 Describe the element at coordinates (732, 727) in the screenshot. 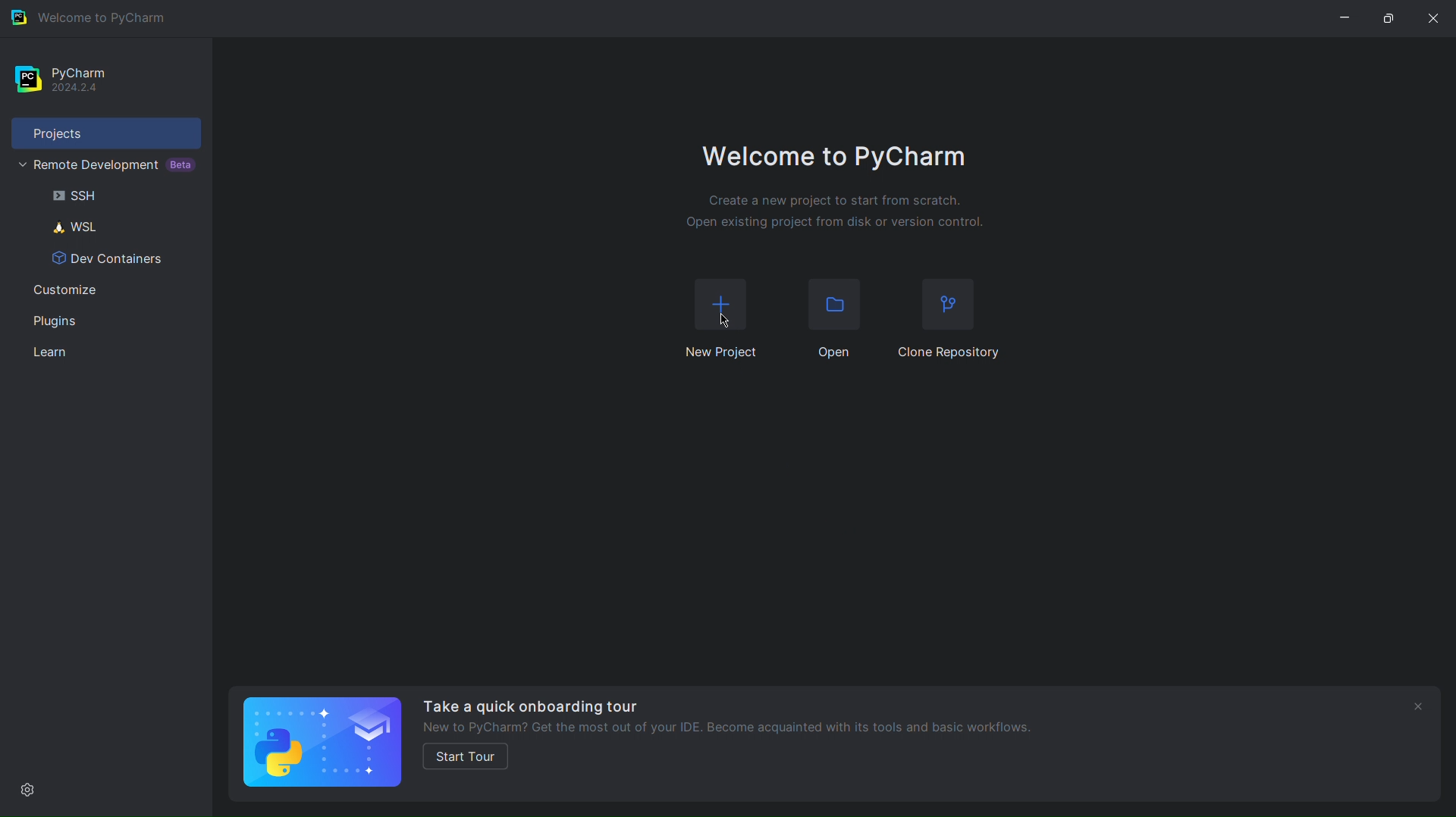

I see `New to PyCharm? Get the most out of your IDE. Become acquainted with its tools and basic workflows.` at that location.